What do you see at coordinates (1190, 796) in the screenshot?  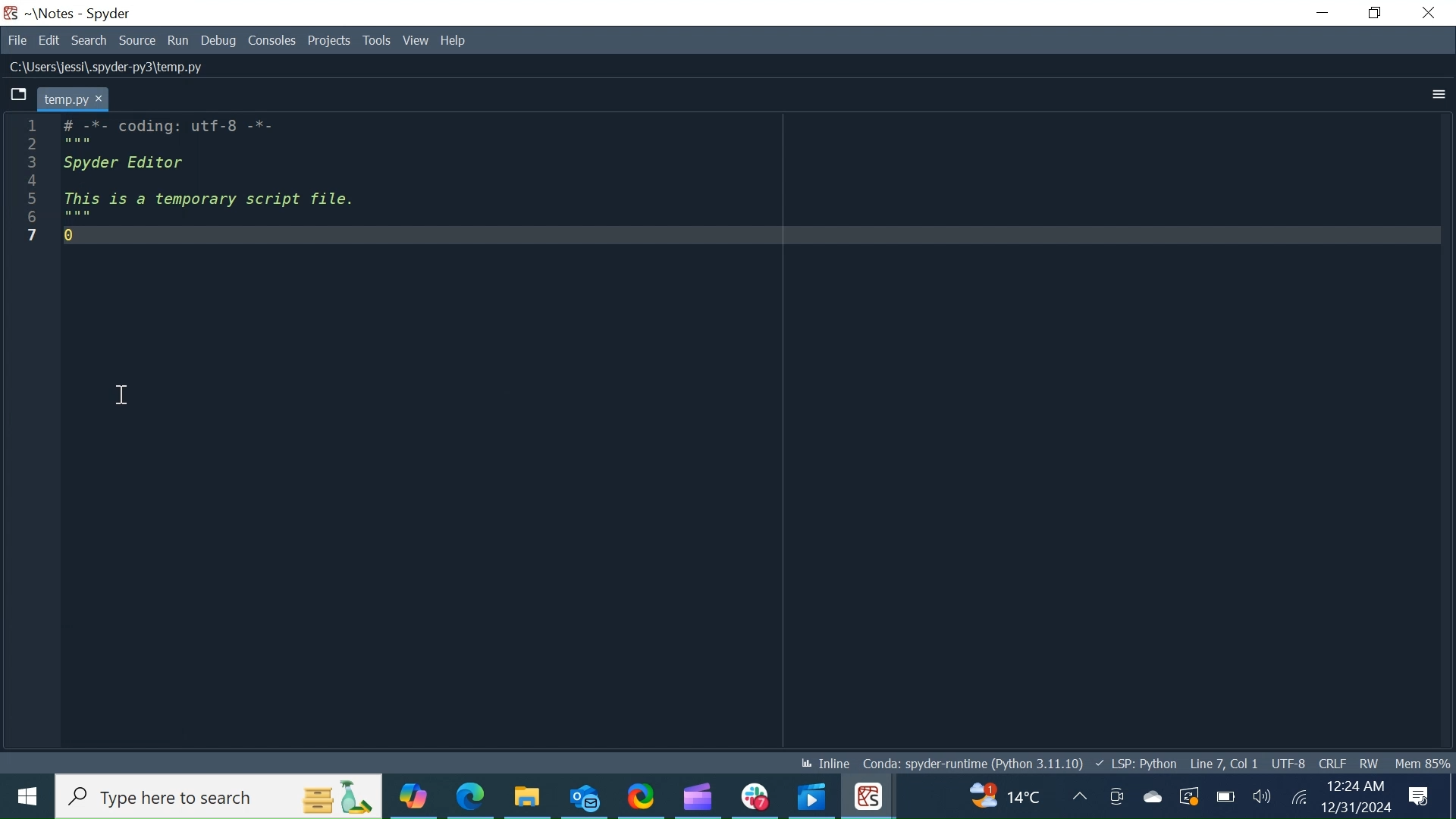 I see `Restart Updates` at bounding box center [1190, 796].